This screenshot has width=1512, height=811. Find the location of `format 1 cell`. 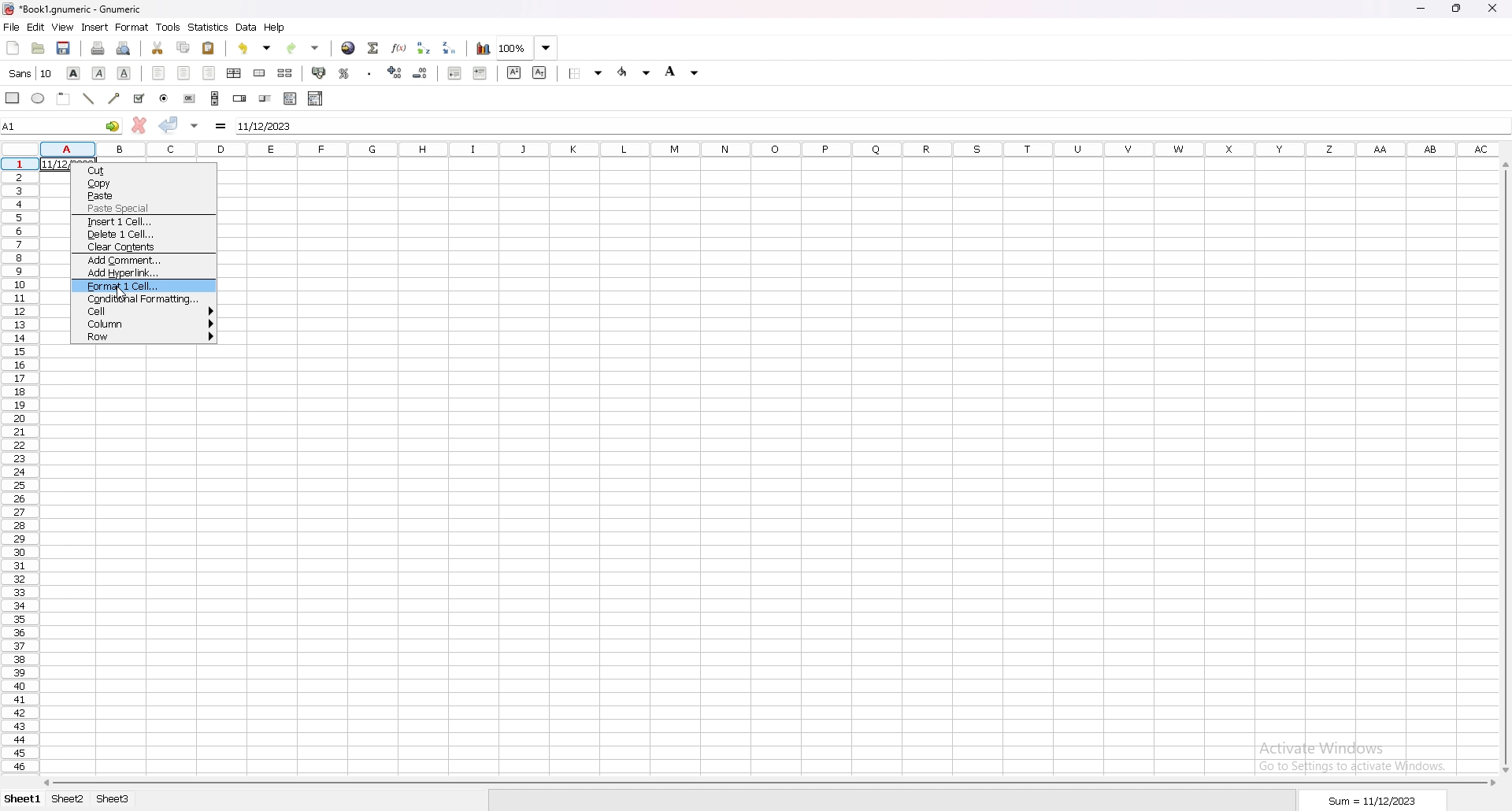

format 1 cell is located at coordinates (143, 287).